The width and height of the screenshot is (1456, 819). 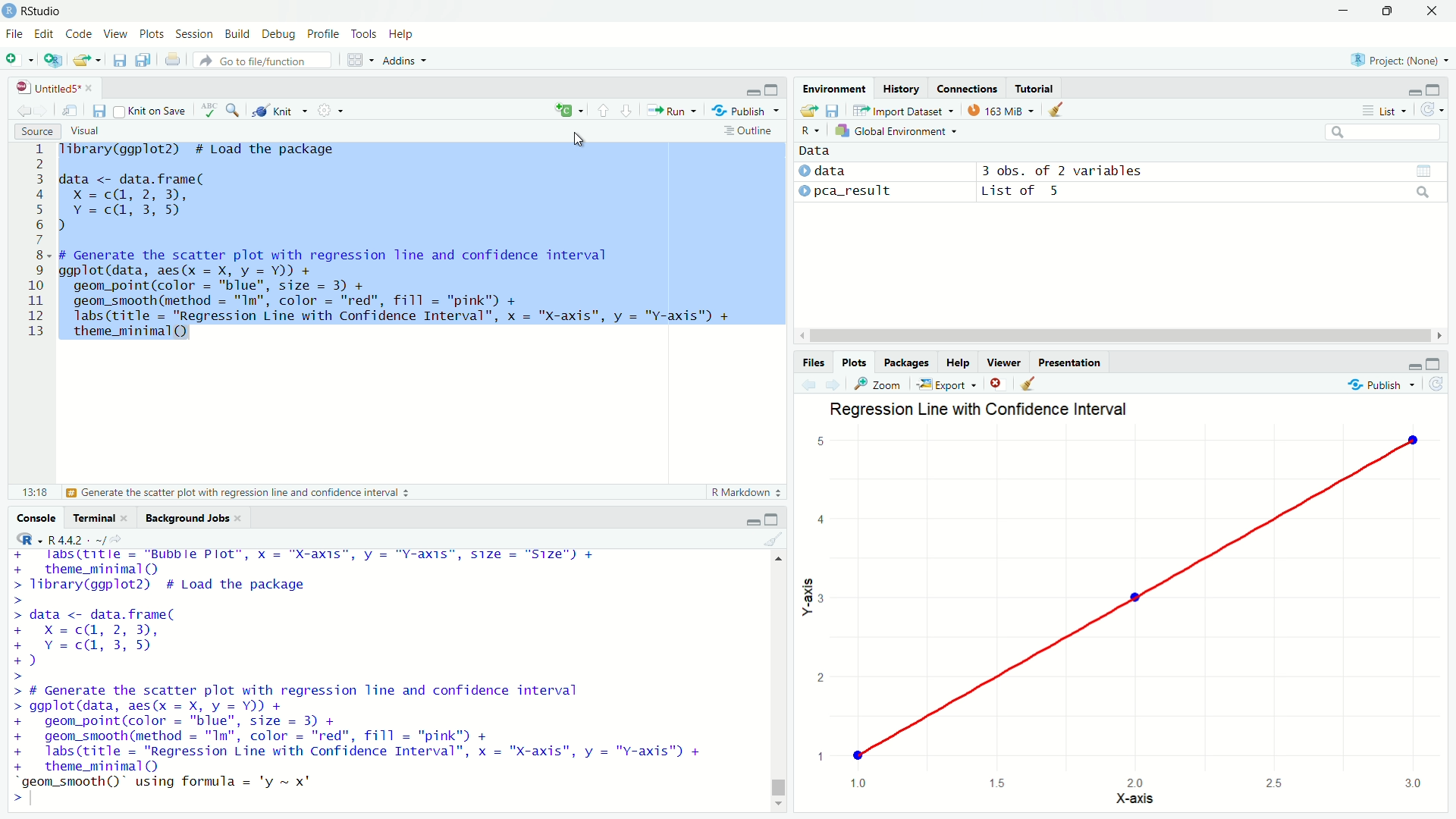 I want to click on Go to next section/chunk, so click(x=626, y=108).